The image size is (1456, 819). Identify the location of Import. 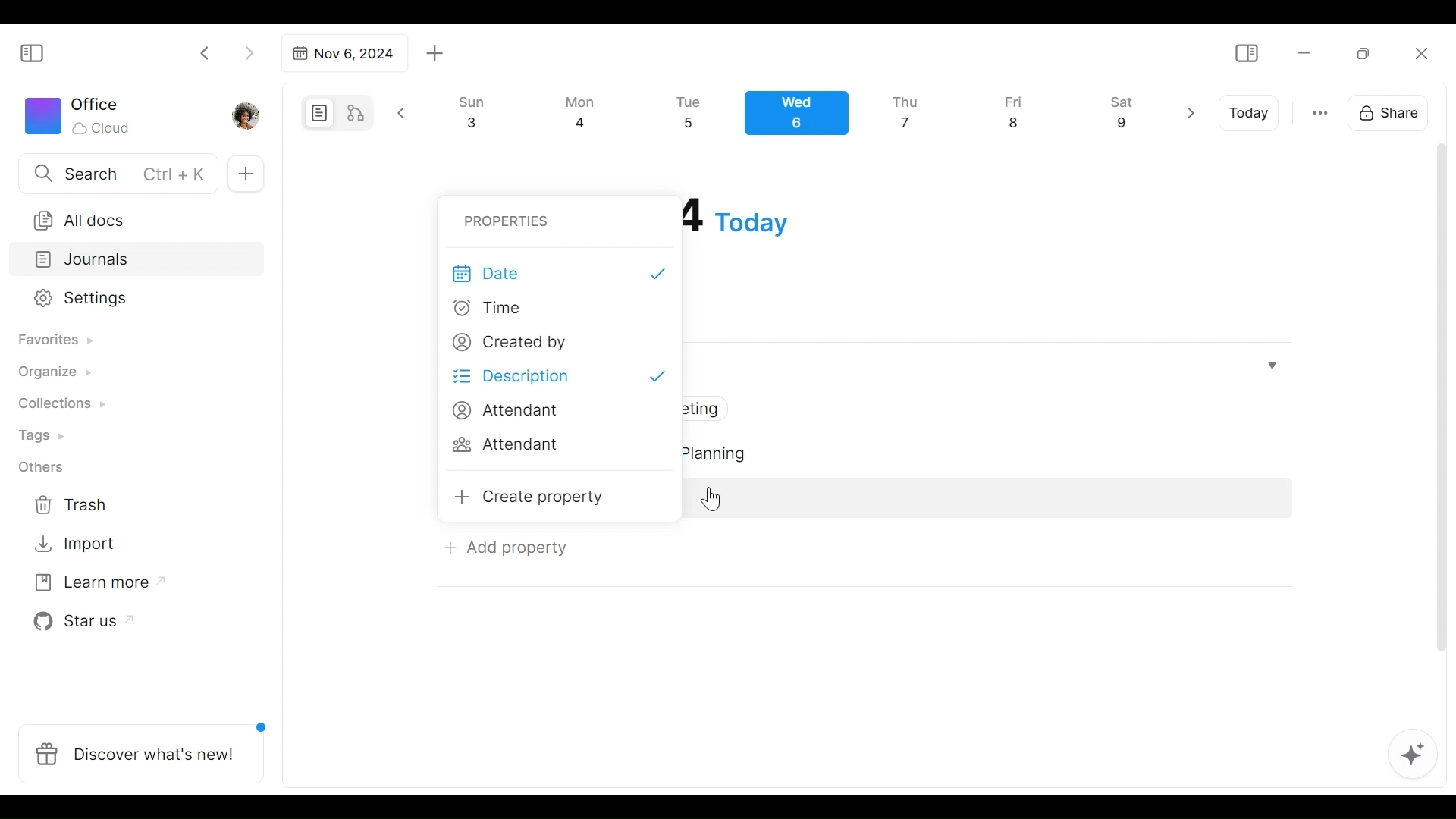
(77, 542).